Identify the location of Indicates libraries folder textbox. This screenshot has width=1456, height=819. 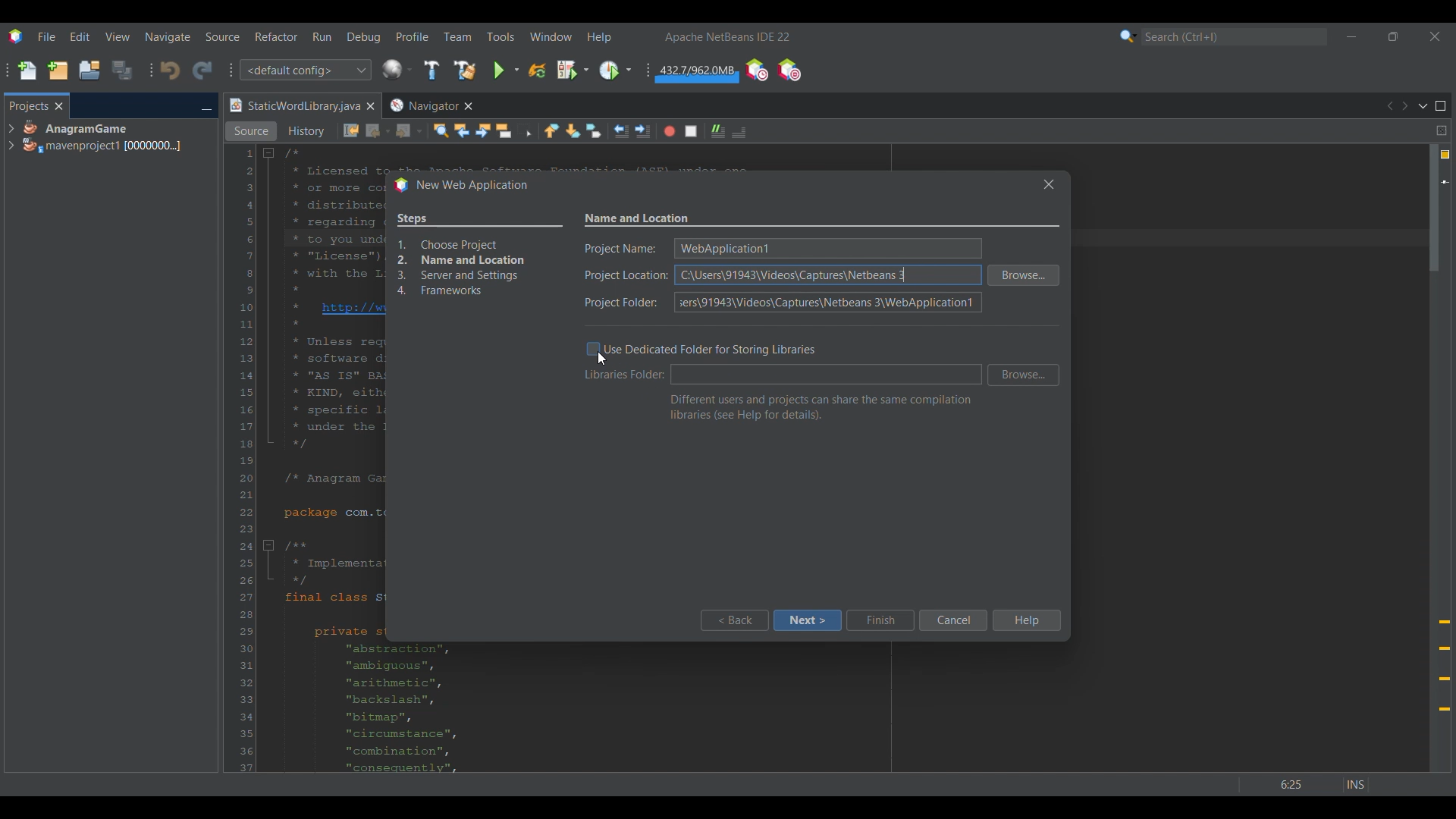
(626, 376).